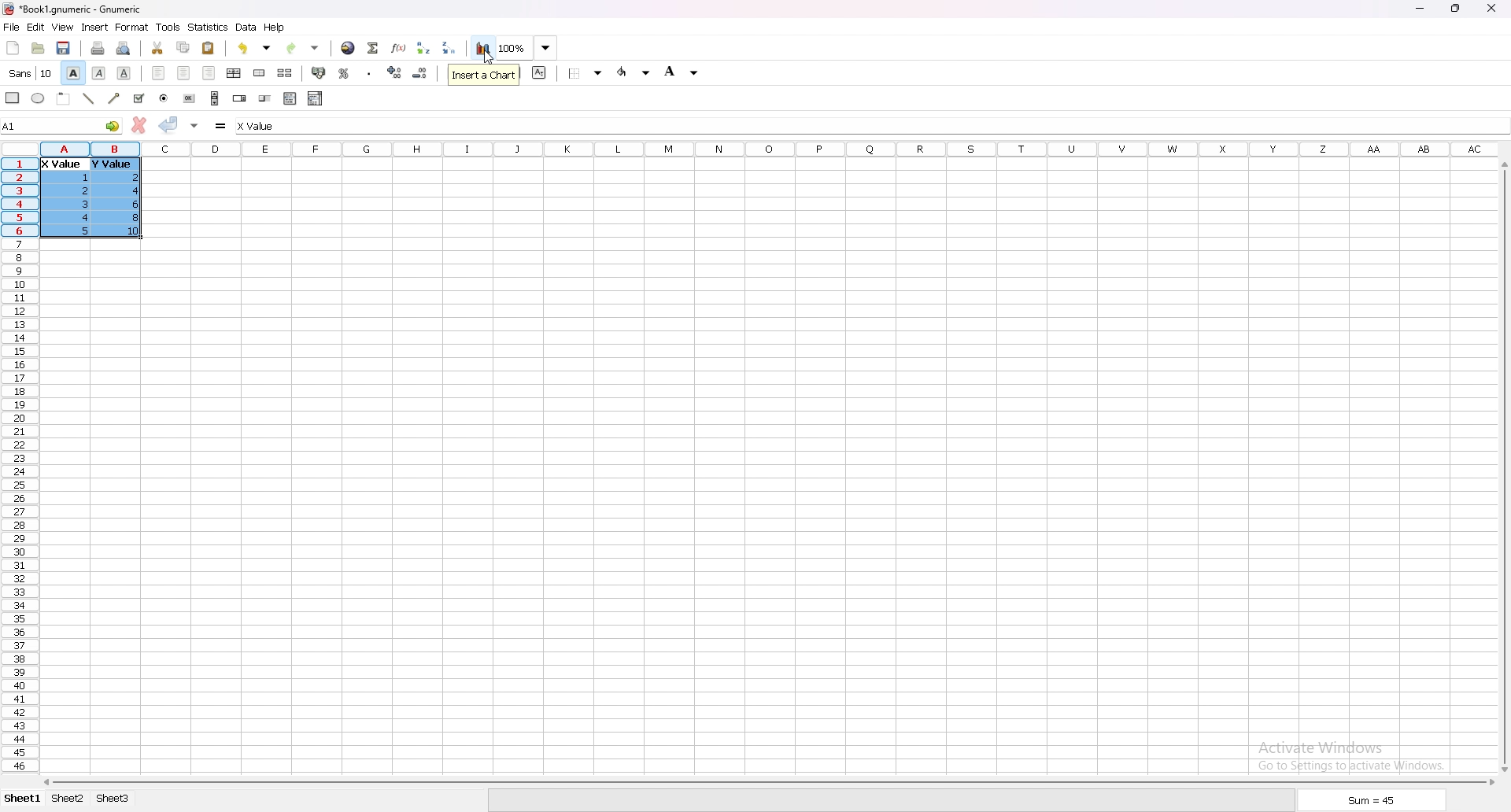 The width and height of the screenshot is (1511, 812). Describe the element at coordinates (401, 47) in the screenshot. I see `function` at that location.